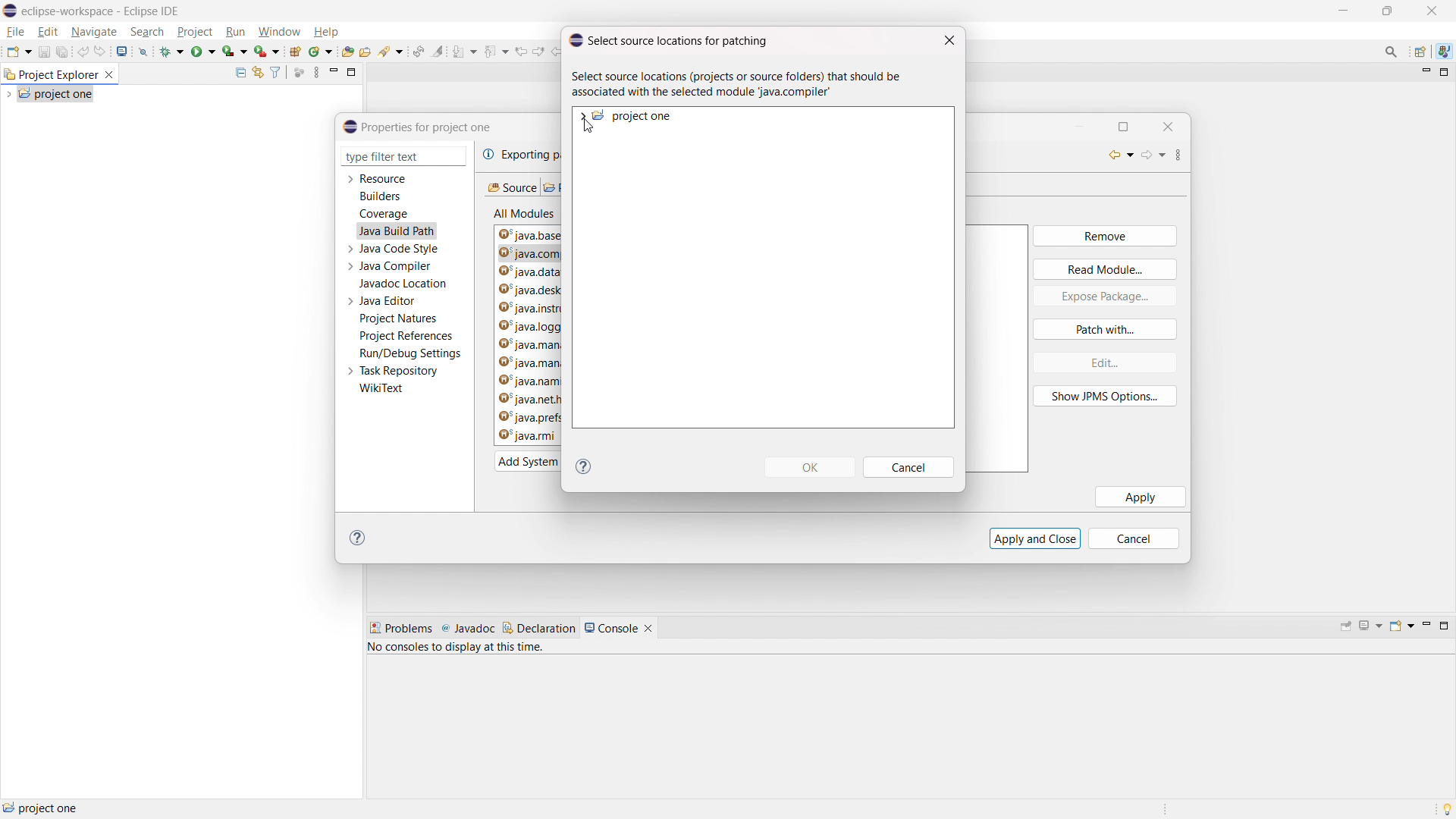 Image resolution: width=1456 pixels, height=819 pixels. What do you see at coordinates (16, 32) in the screenshot?
I see `file` at bounding box center [16, 32].